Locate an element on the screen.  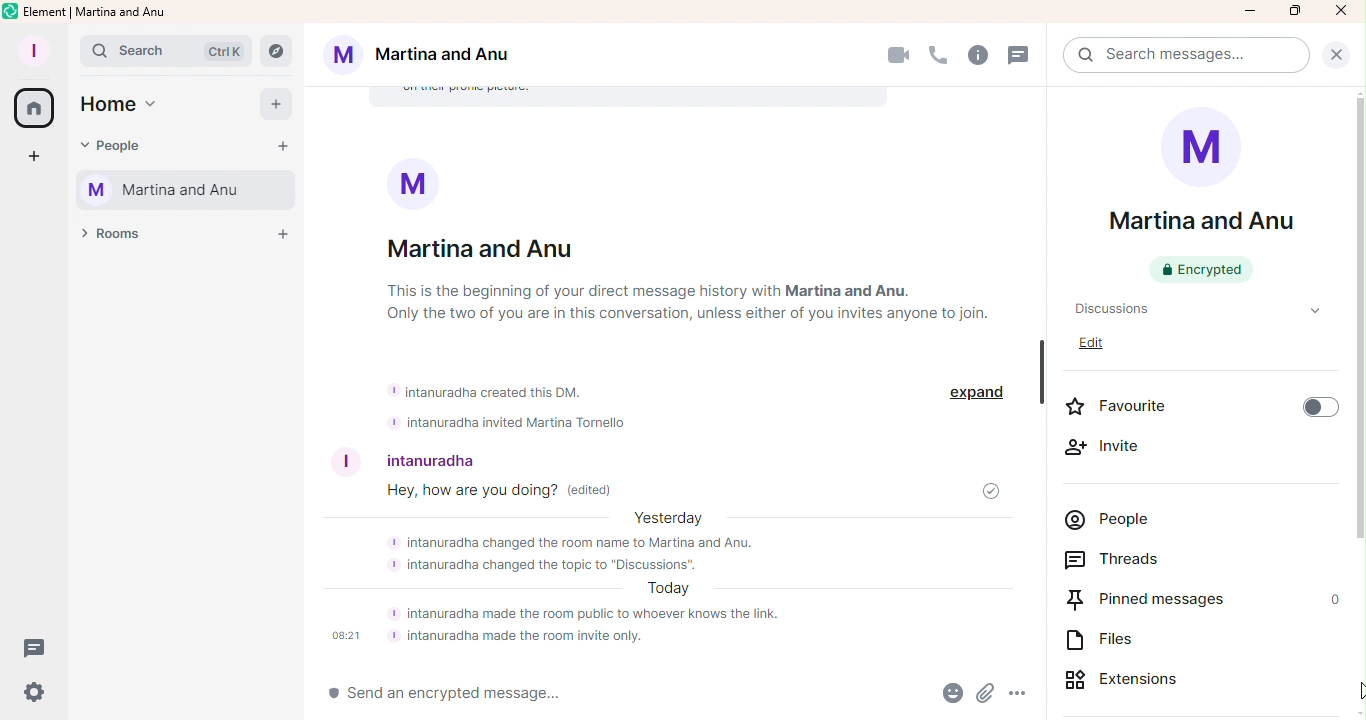
People is located at coordinates (1105, 515).